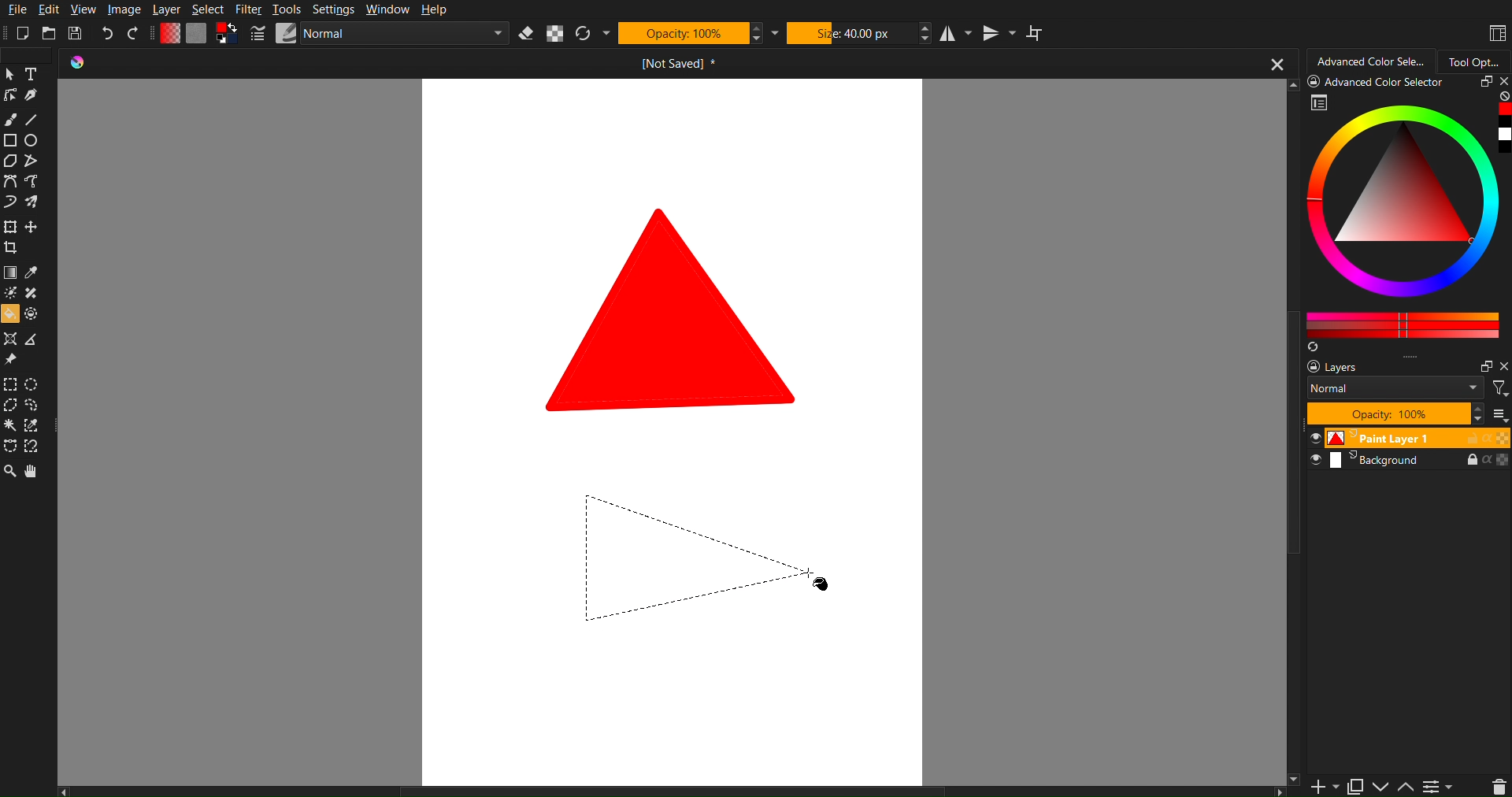  What do you see at coordinates (32, 202) in the screenshot?
I see `Free shape` at bounding box center [32, 202].